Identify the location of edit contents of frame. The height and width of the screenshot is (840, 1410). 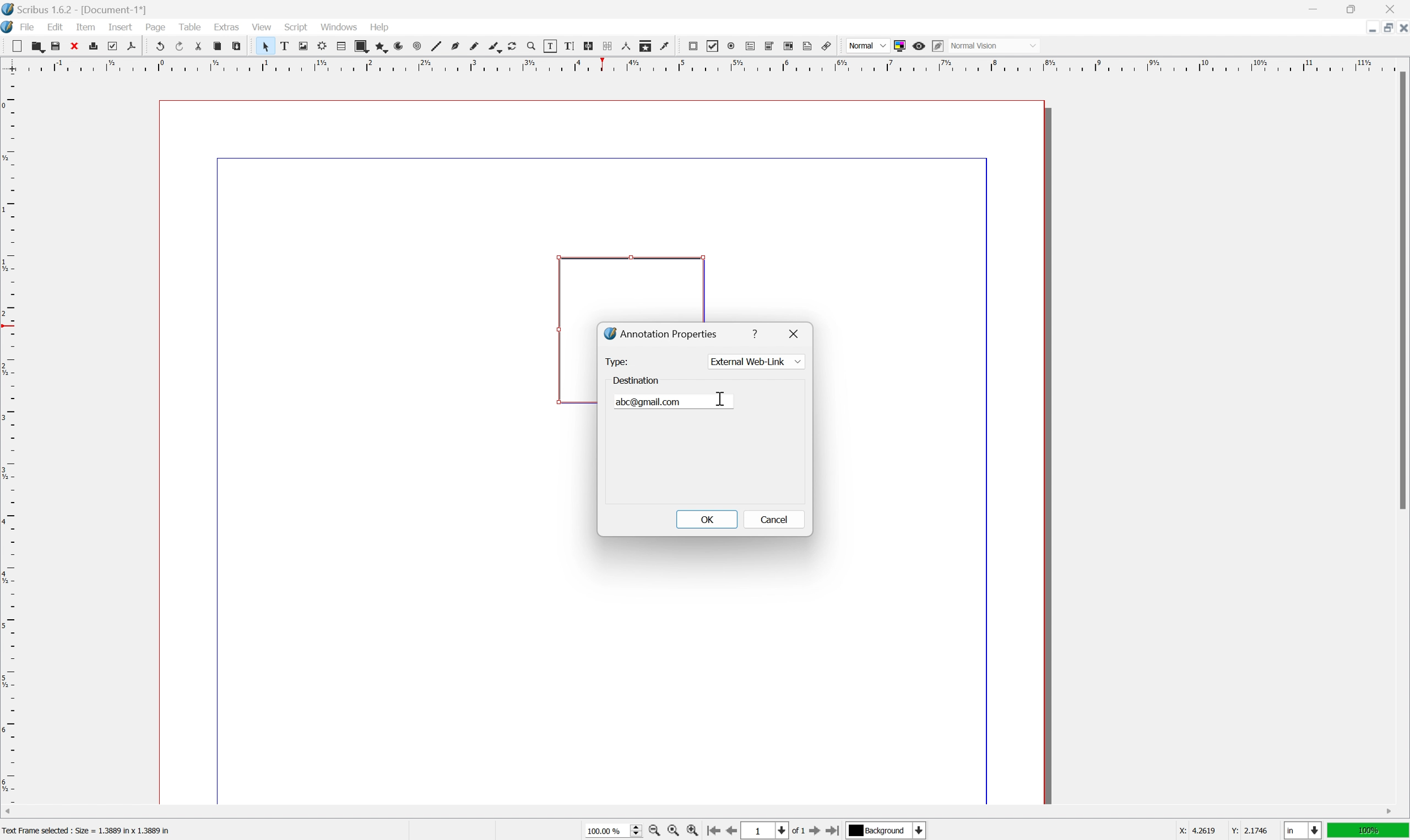
(550, 46).